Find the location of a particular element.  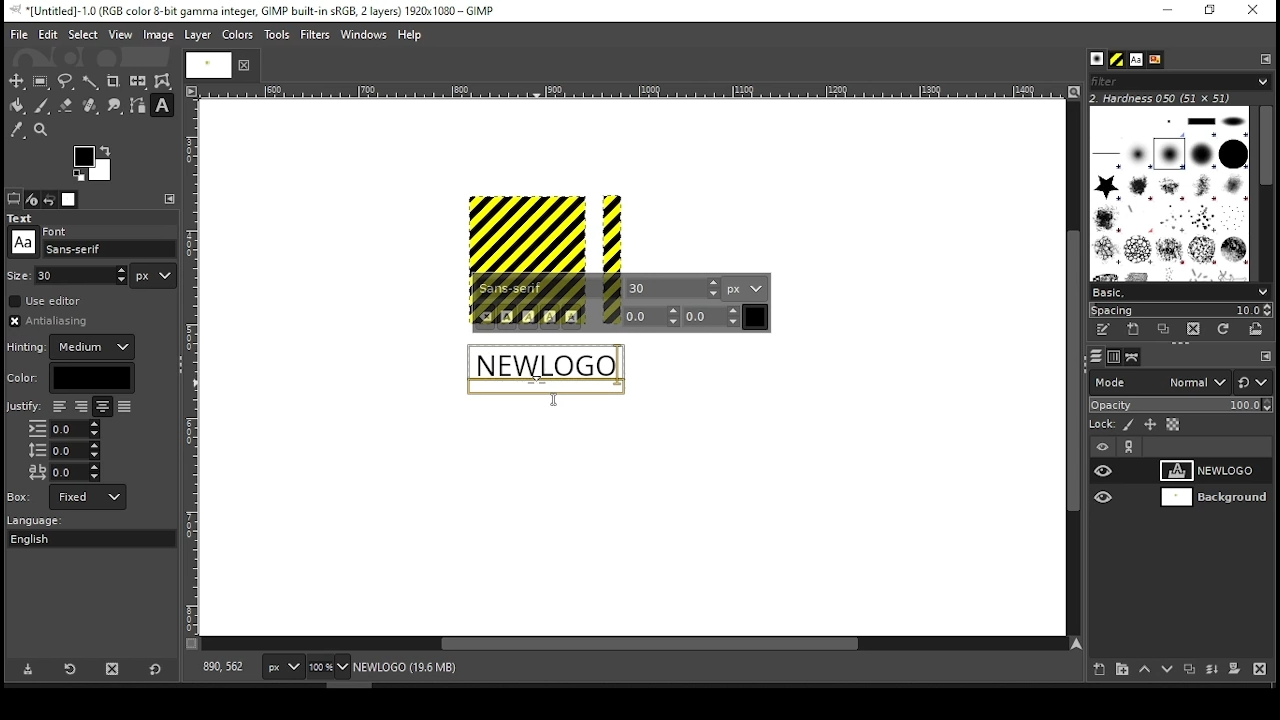

save tool preset is located at coordinates (30, 668).